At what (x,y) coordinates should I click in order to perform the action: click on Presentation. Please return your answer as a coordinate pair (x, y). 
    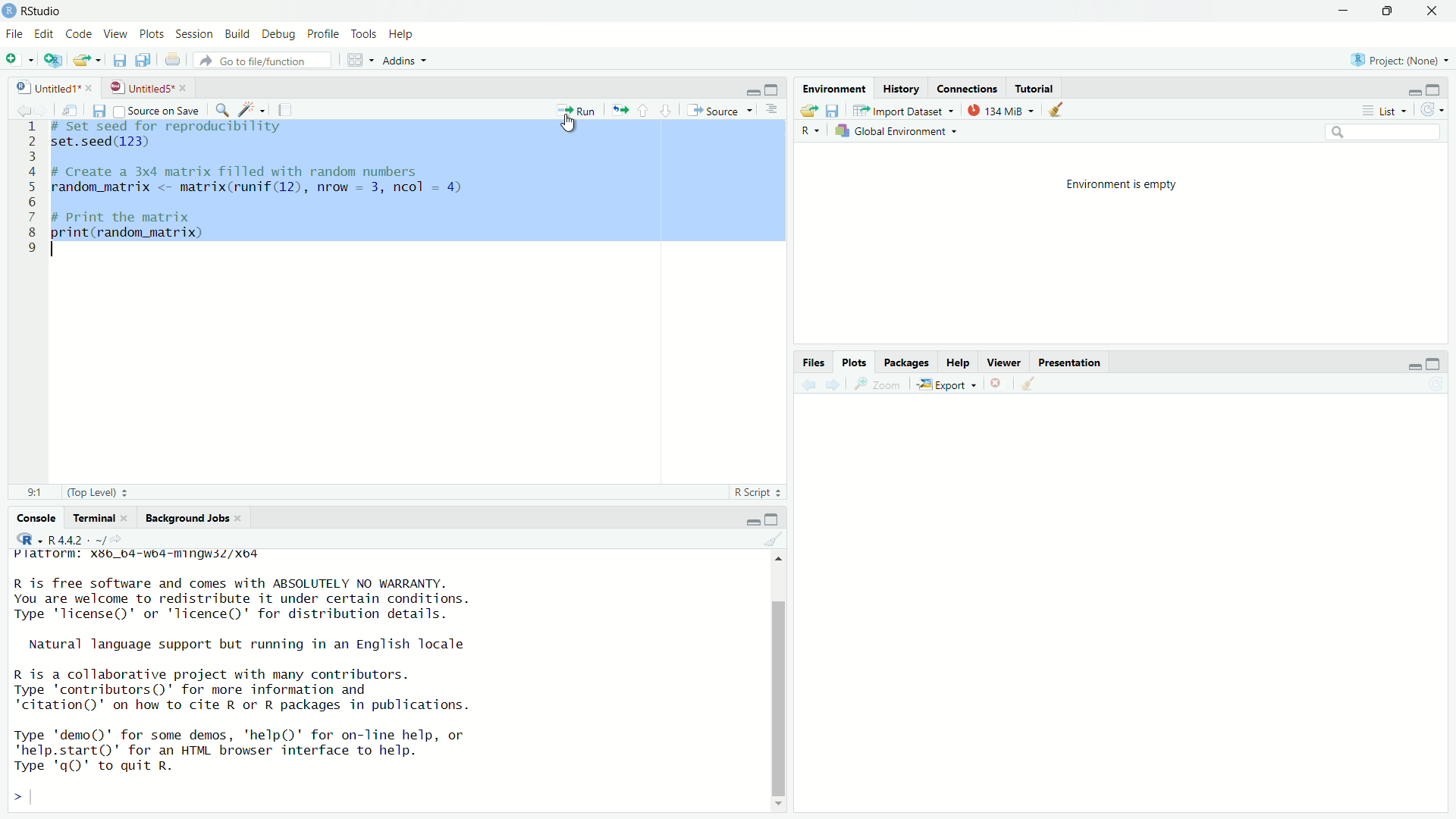
    Looking at the image, I should click on (1073, 364).